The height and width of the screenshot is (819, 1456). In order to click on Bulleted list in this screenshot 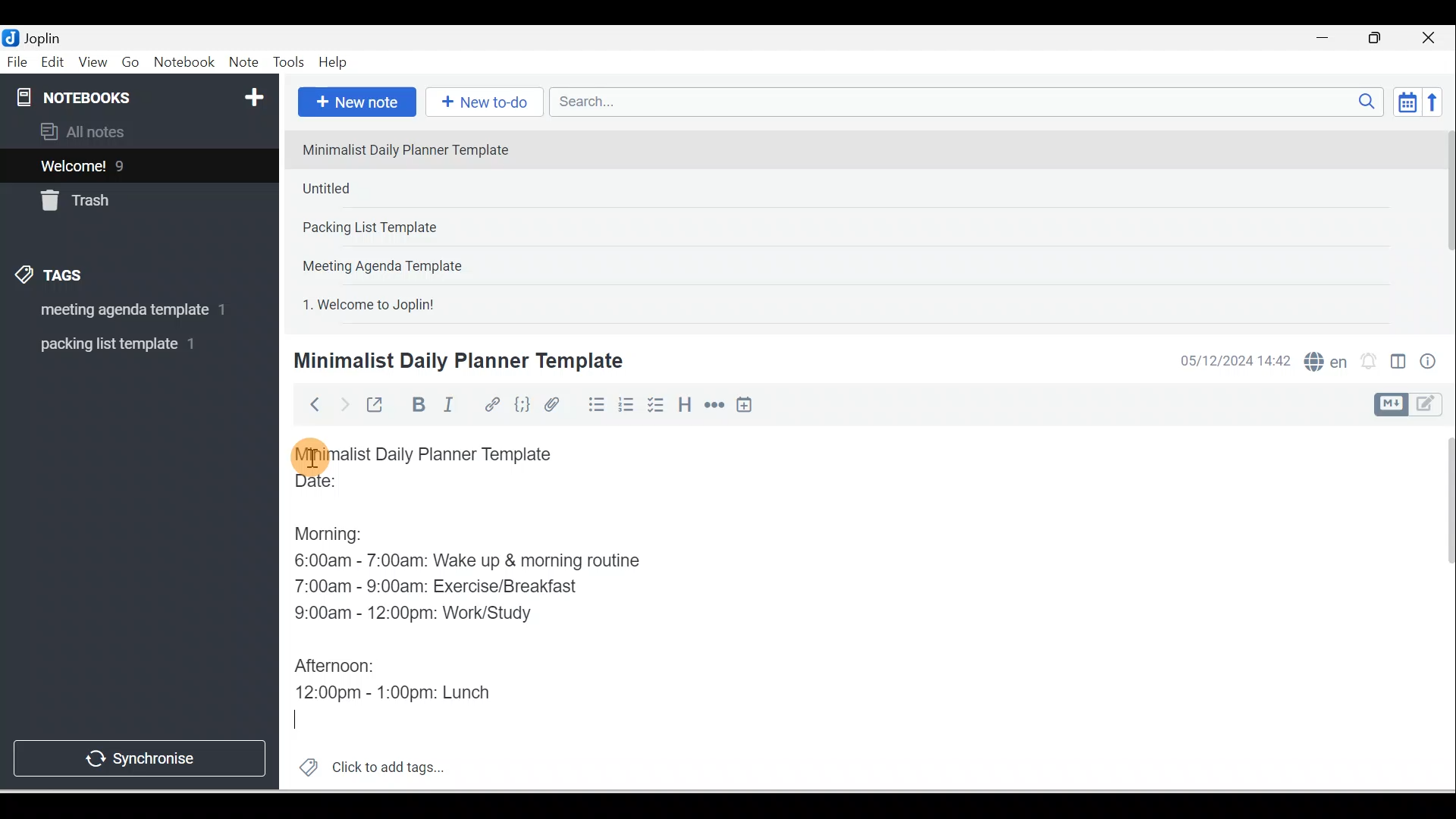, I will do `click(593, 404)`.